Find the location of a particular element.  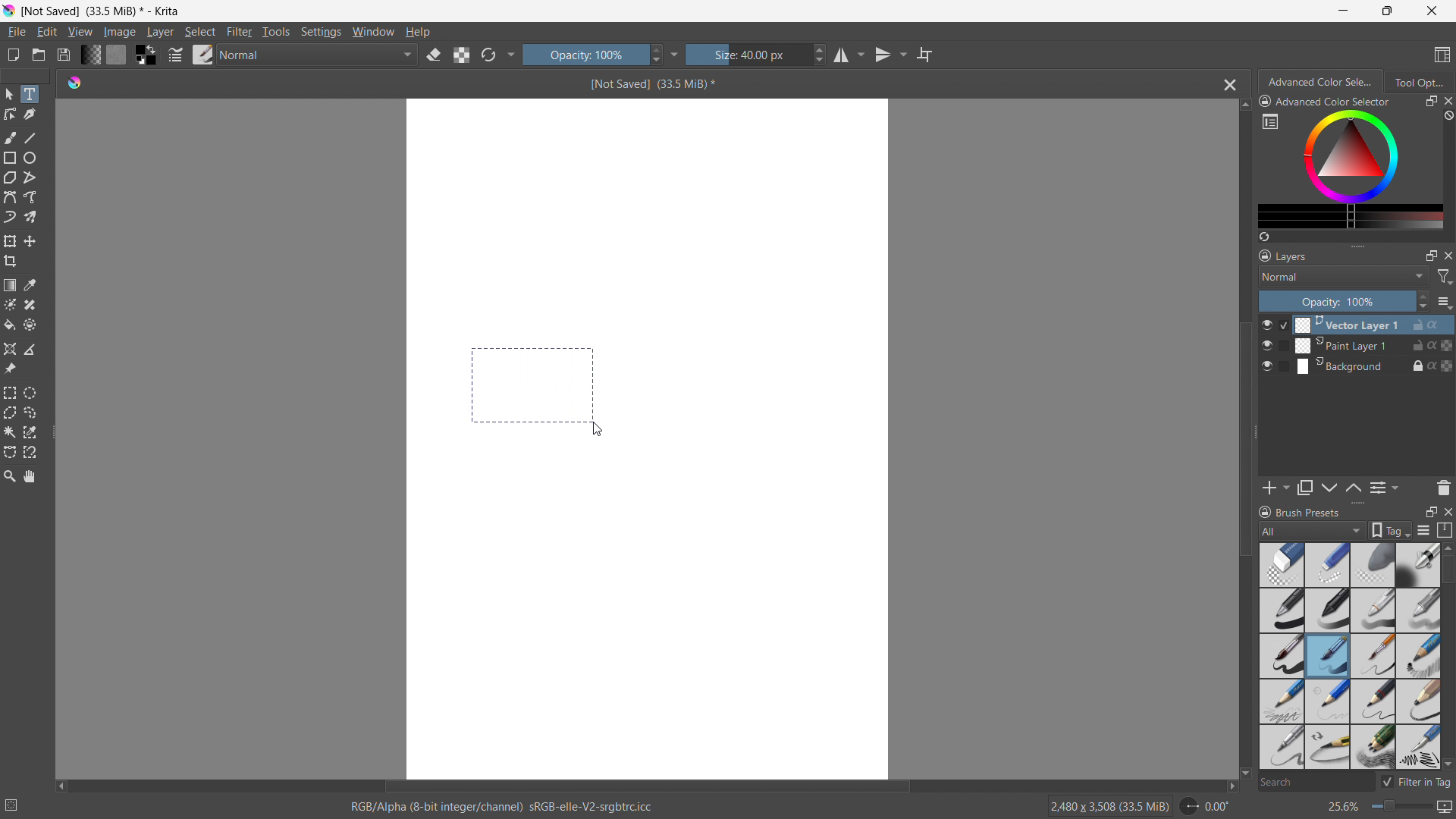

Not saved(33.5 Mib is located at coordinates (648, 83).